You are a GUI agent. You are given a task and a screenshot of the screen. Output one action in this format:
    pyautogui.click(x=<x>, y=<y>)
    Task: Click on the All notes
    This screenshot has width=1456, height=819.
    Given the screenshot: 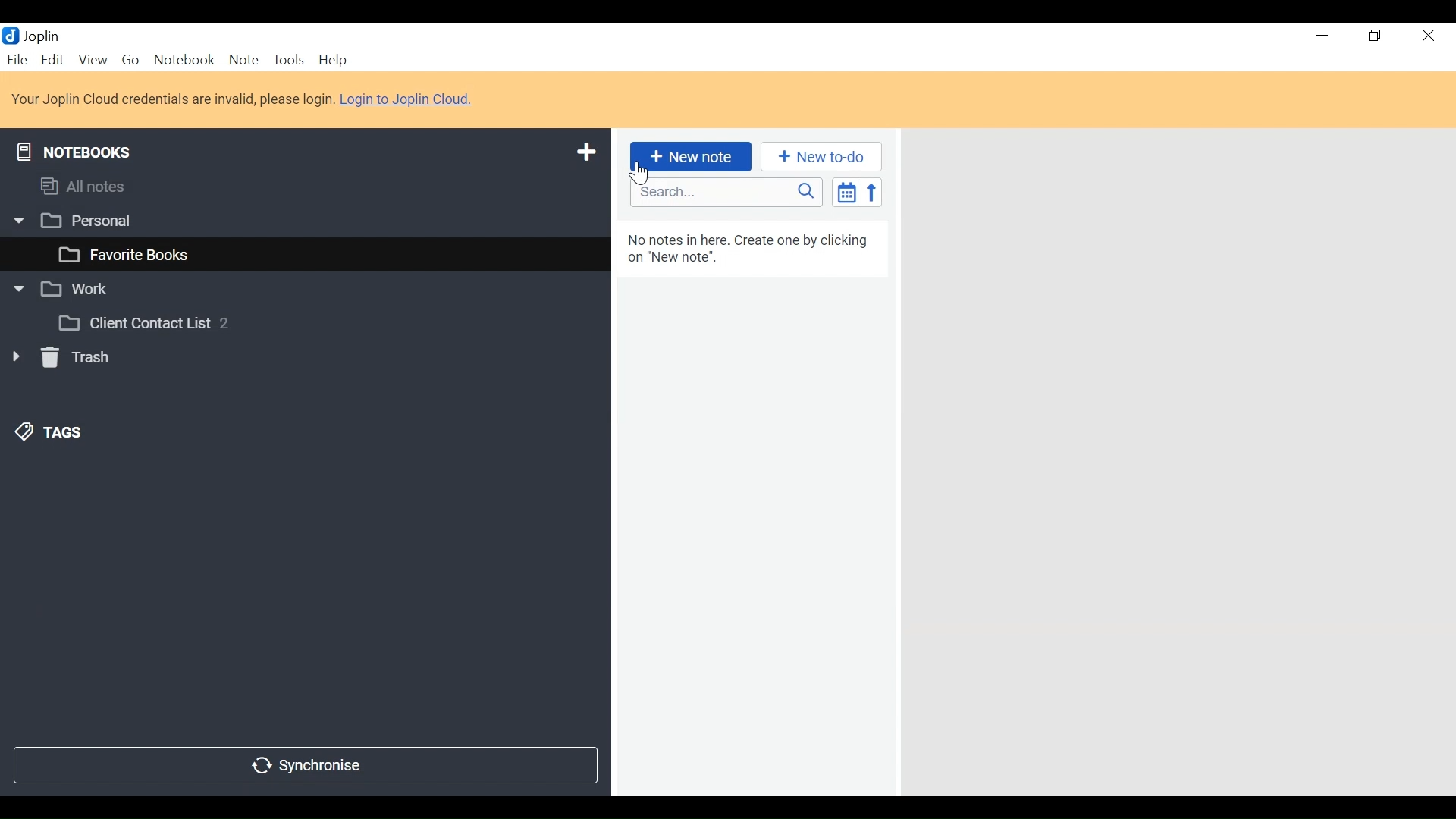 What is the action you would take?
    pyautogui.click(x=84, y=187)
    